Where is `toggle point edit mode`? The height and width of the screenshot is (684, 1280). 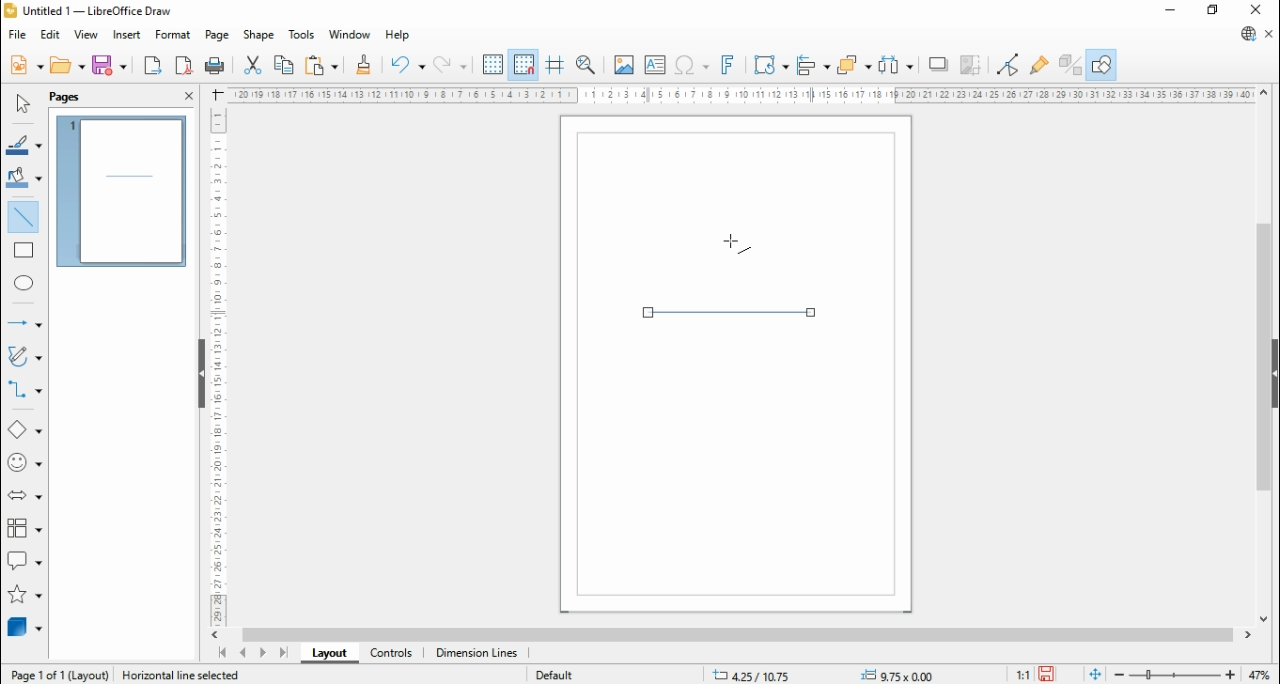 toggle point edit mode is located at coordinates (1008, 63).